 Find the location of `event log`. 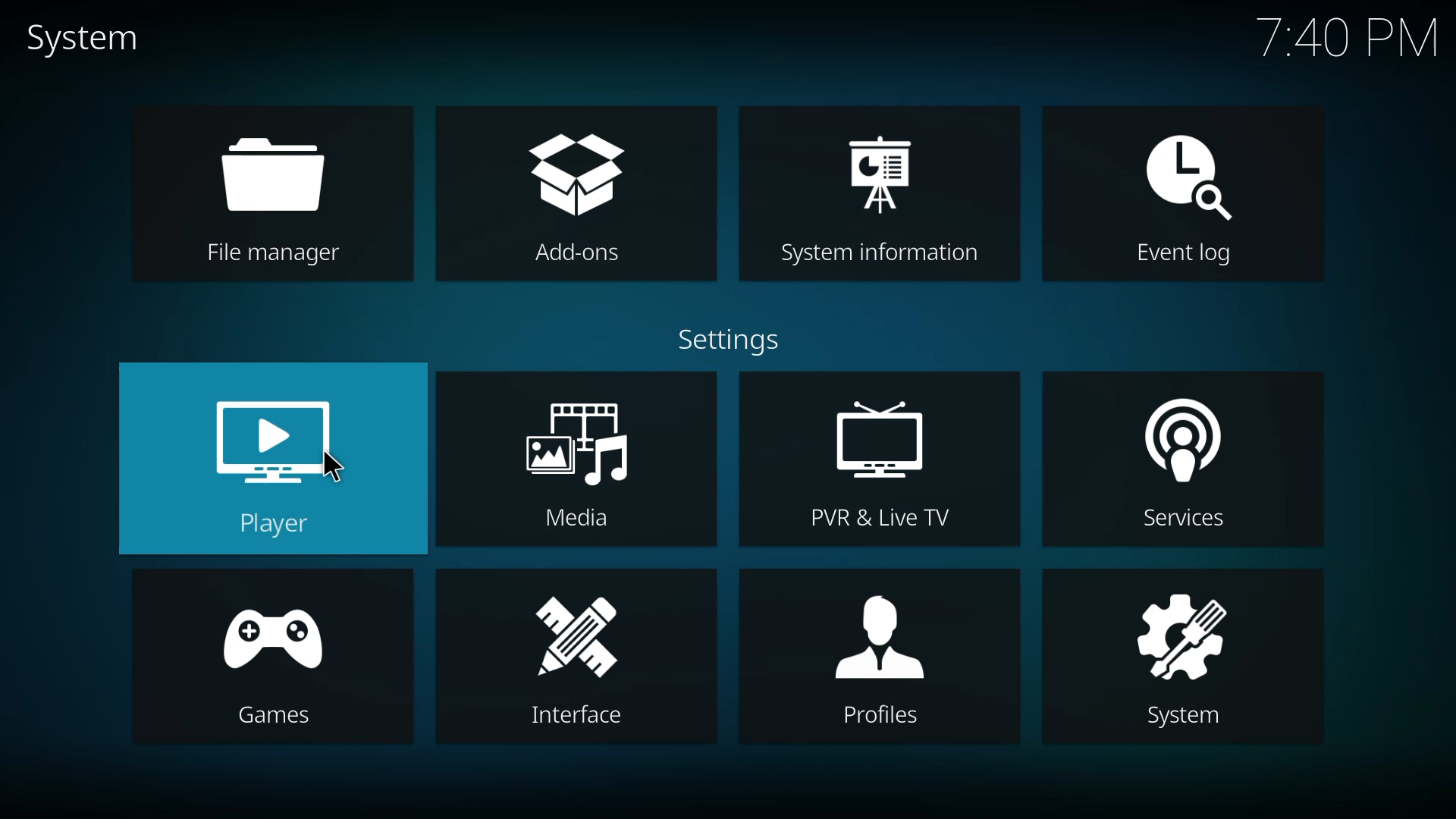

event log is located at coordinates (1169, 193).